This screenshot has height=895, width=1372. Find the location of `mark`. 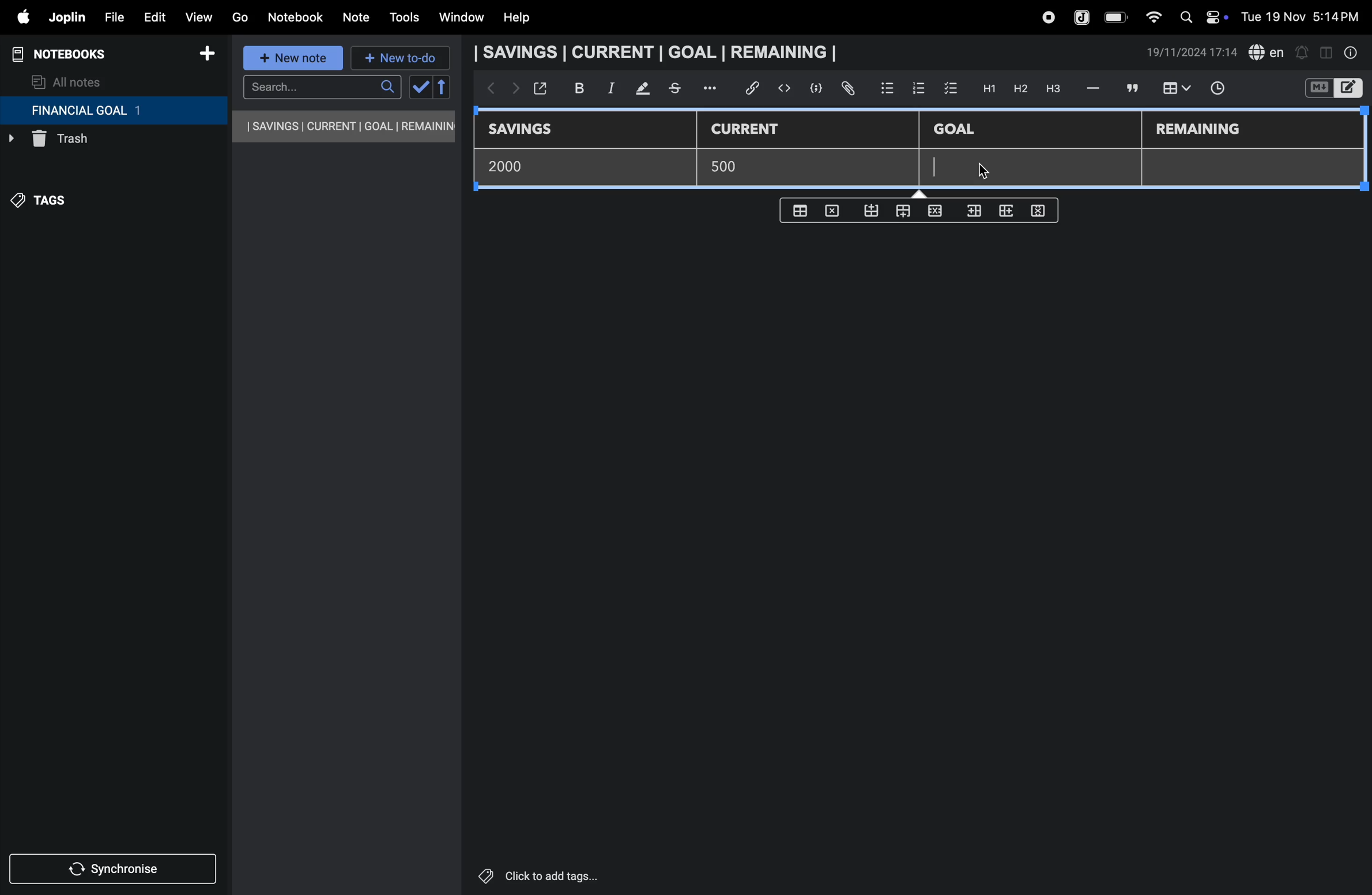

mark is located at coordinates (638, 89).